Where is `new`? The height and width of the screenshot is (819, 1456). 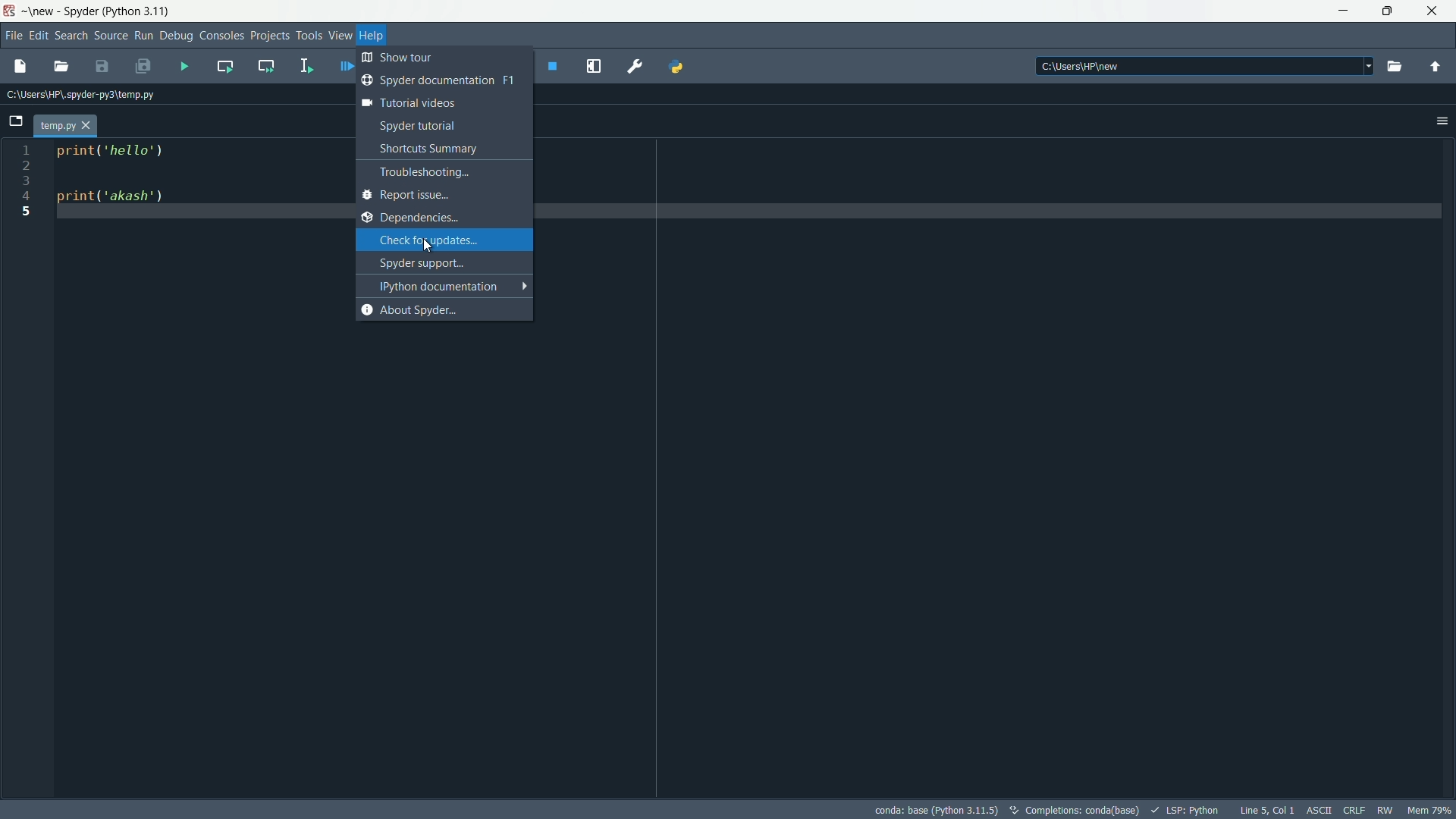 new is located at coordinates (40, 11).